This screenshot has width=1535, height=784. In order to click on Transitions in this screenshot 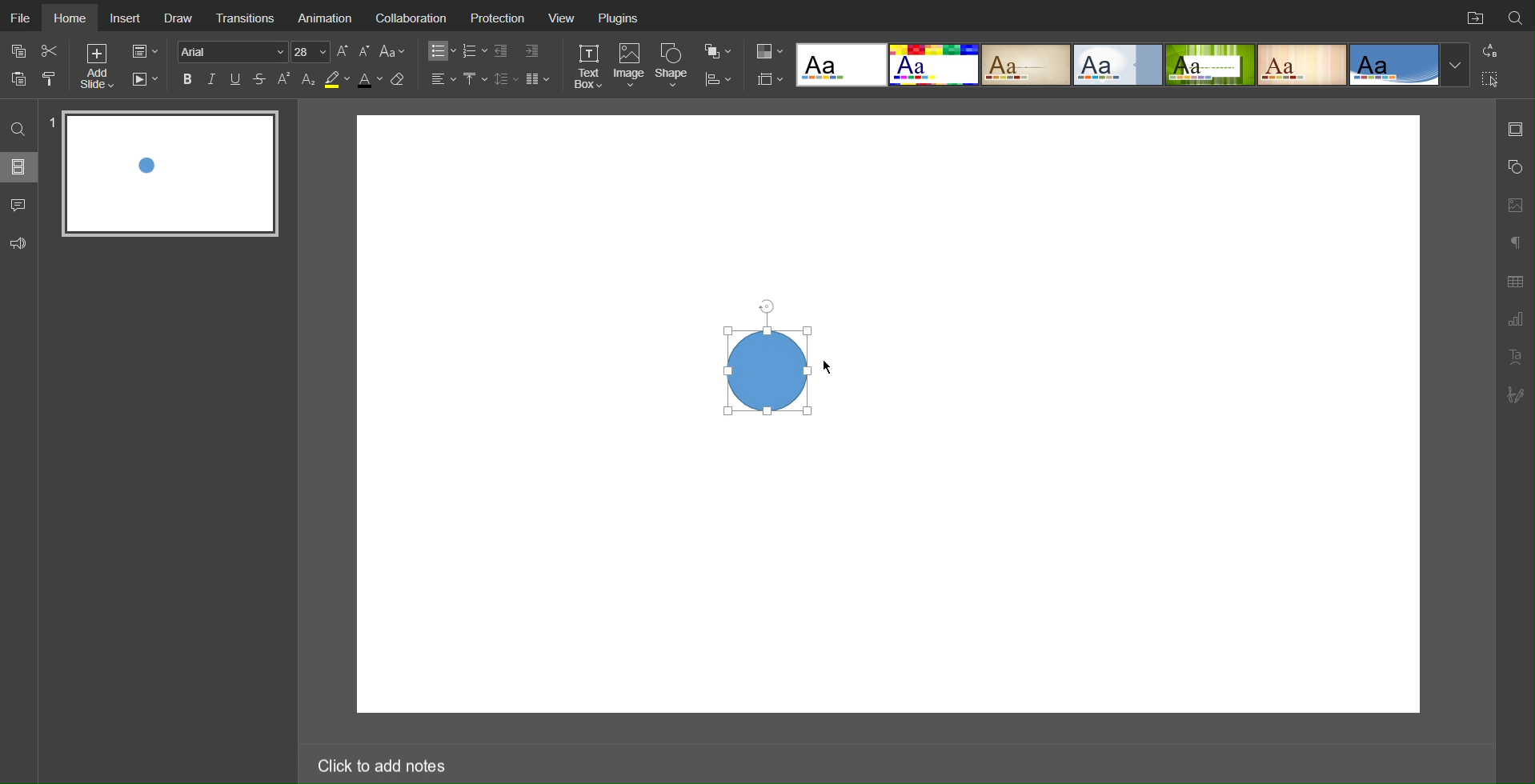, I will do `click(248, 15)`.